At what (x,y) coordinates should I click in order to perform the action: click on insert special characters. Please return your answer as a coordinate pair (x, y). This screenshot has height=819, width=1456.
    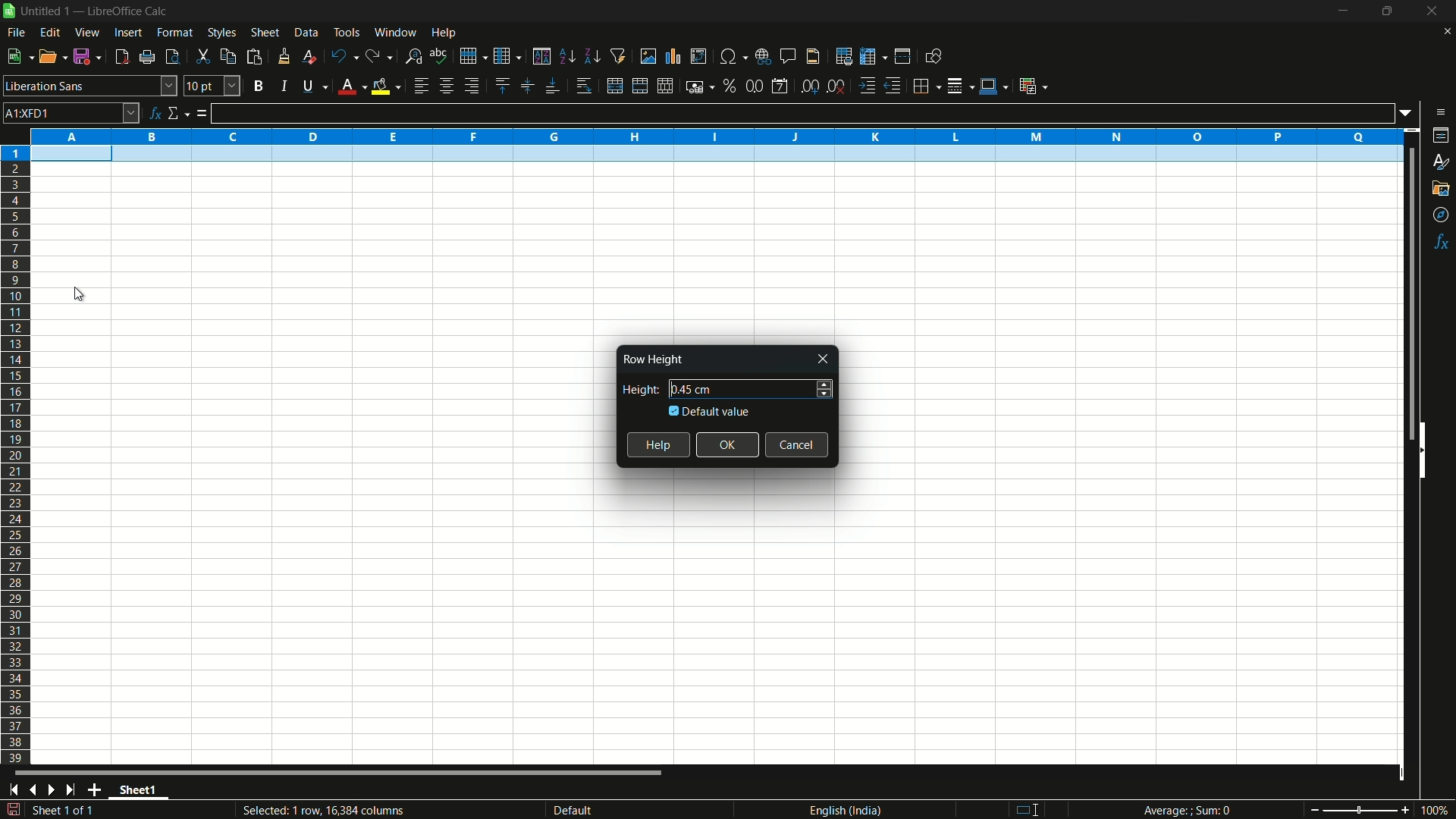
    Looking at the image, I should click on (733, 55).